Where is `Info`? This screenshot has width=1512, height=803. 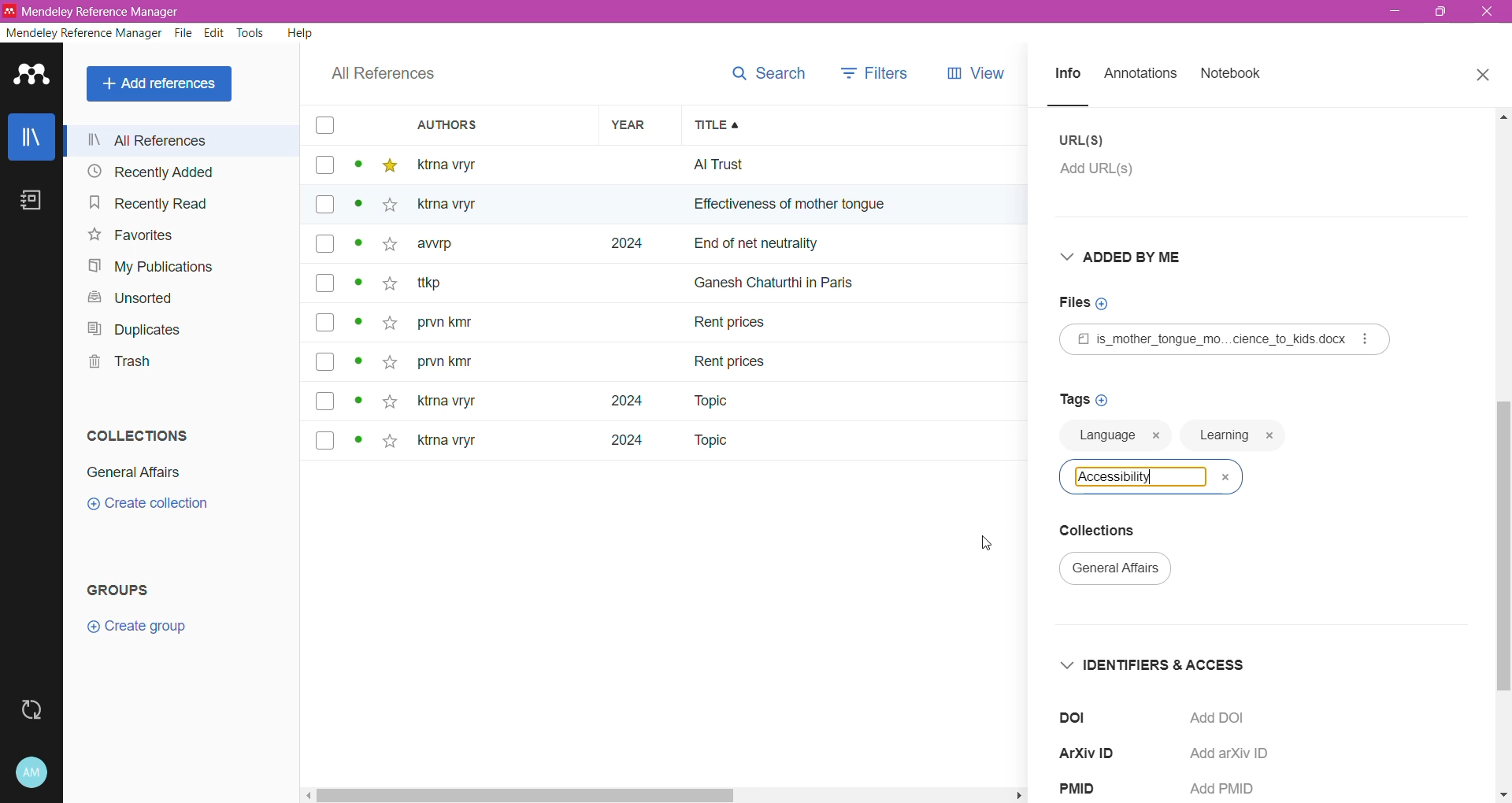
Info is located at coordinates (1066, 75).